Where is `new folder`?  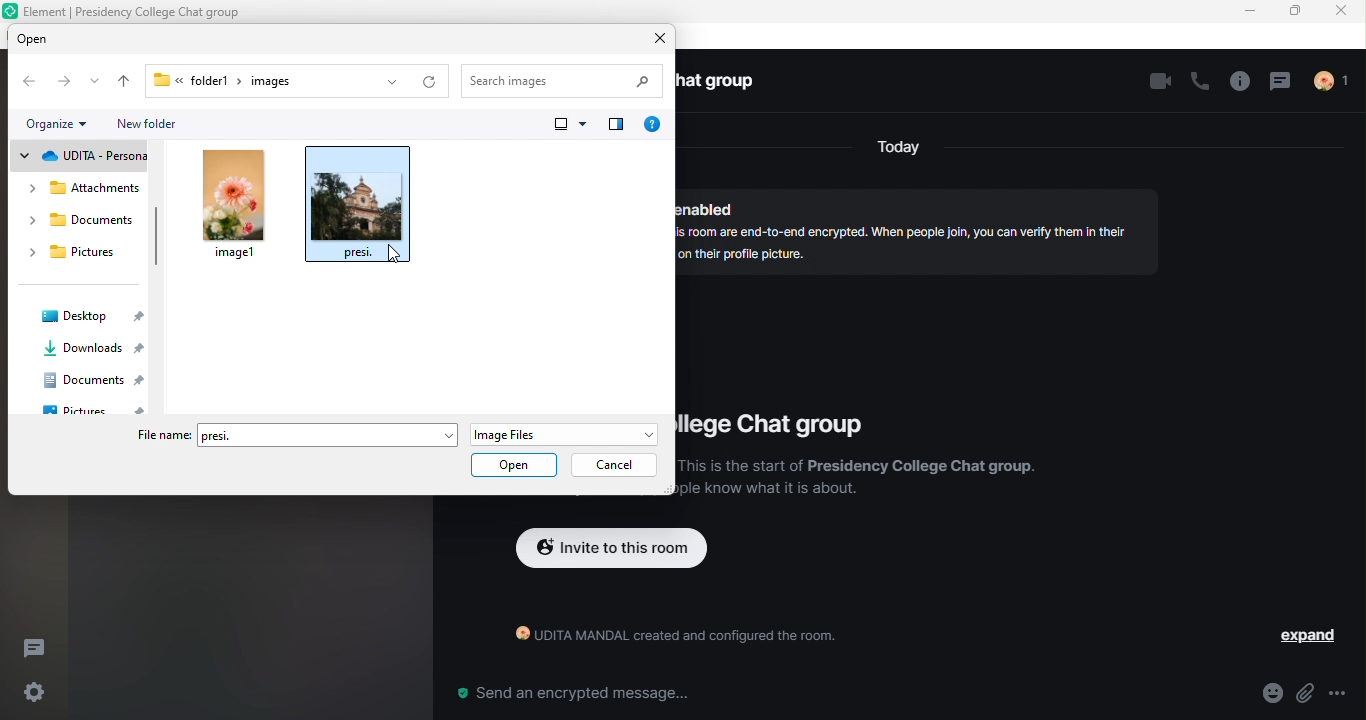 new folder is located at coordinates (159, 126).